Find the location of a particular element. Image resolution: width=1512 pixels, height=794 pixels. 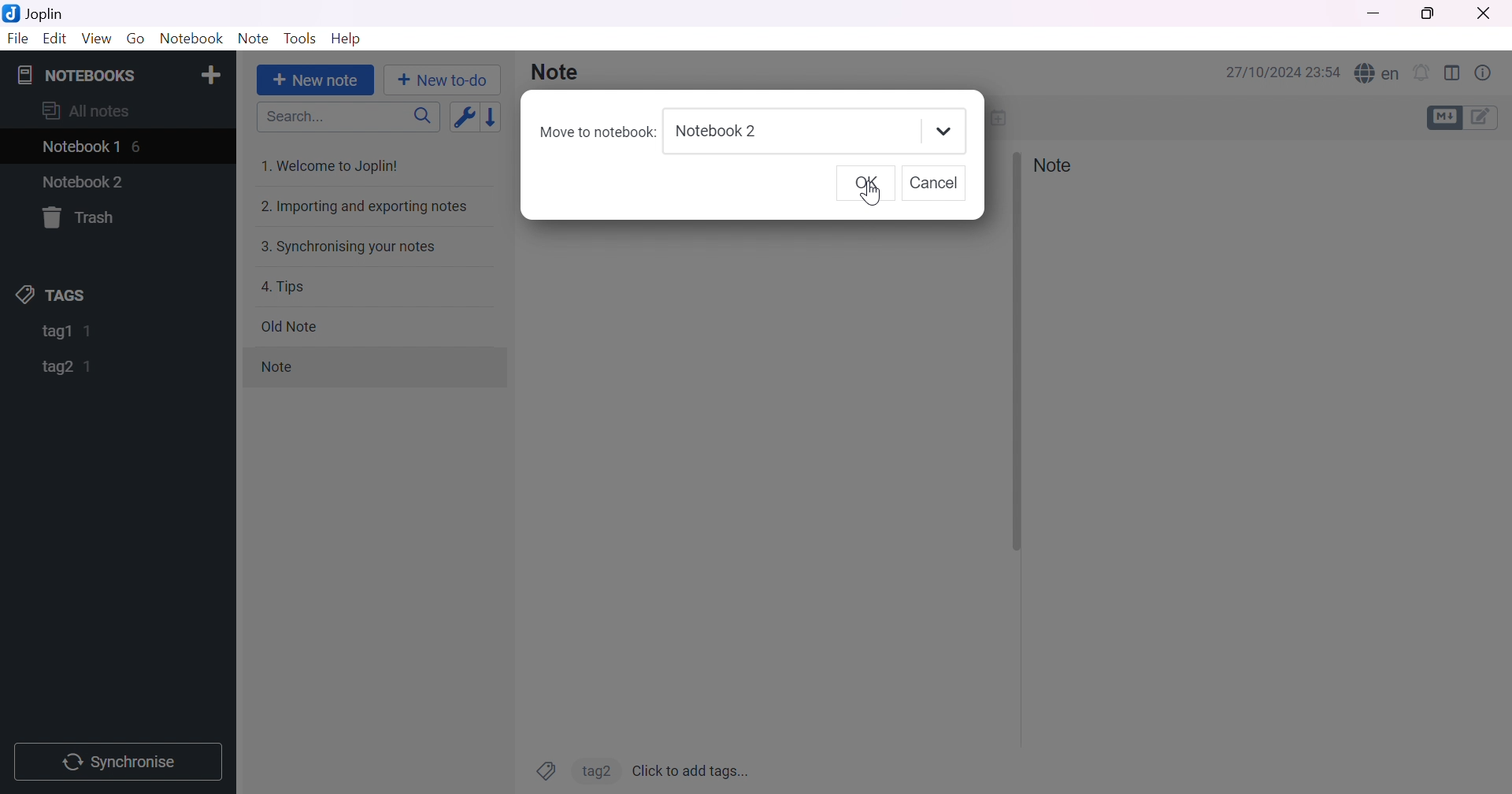

Toggle editors is located at coordinates (1466, 117).